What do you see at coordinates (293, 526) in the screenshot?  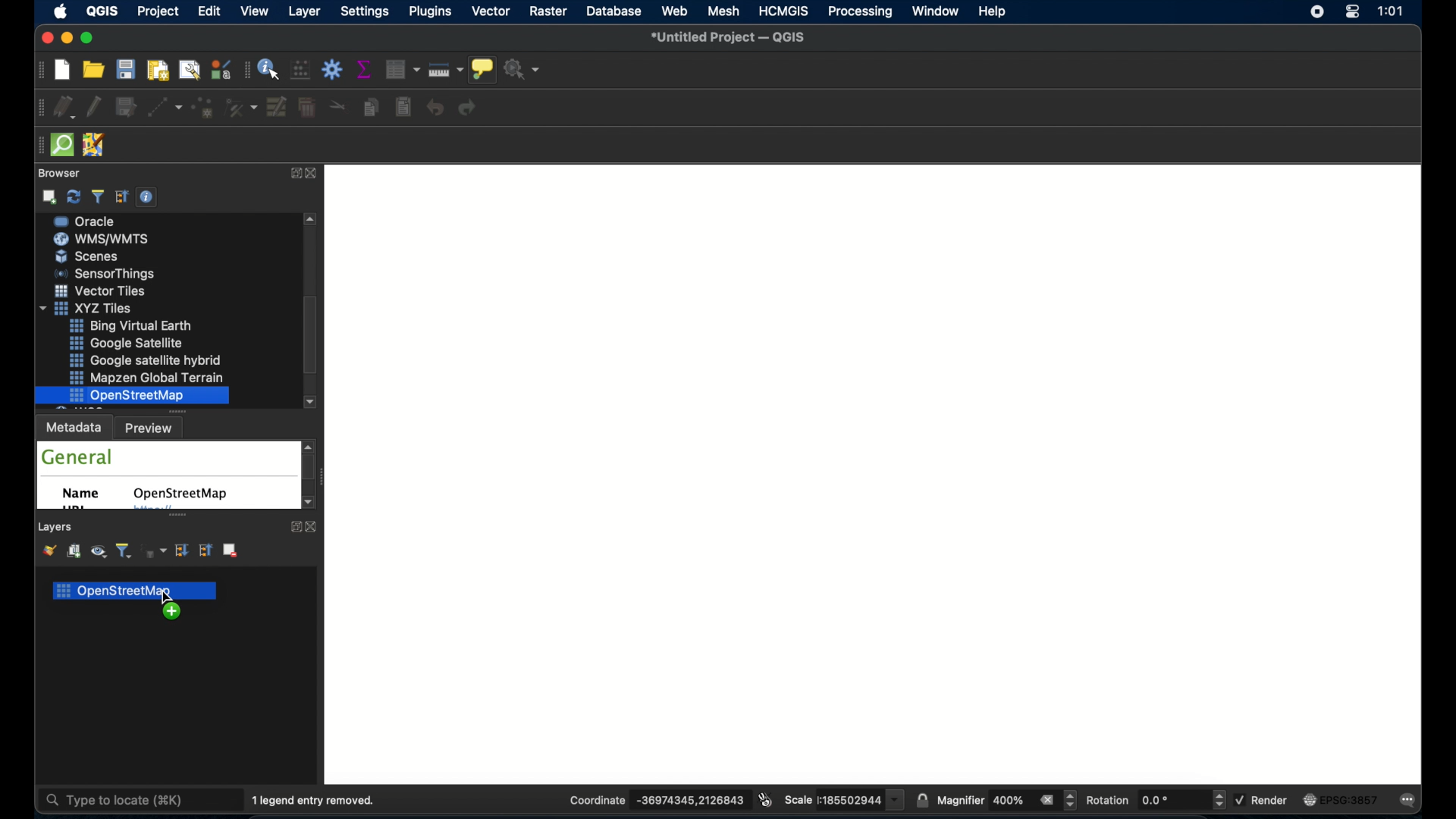 I see `expand` at bounding box center [293, 526].